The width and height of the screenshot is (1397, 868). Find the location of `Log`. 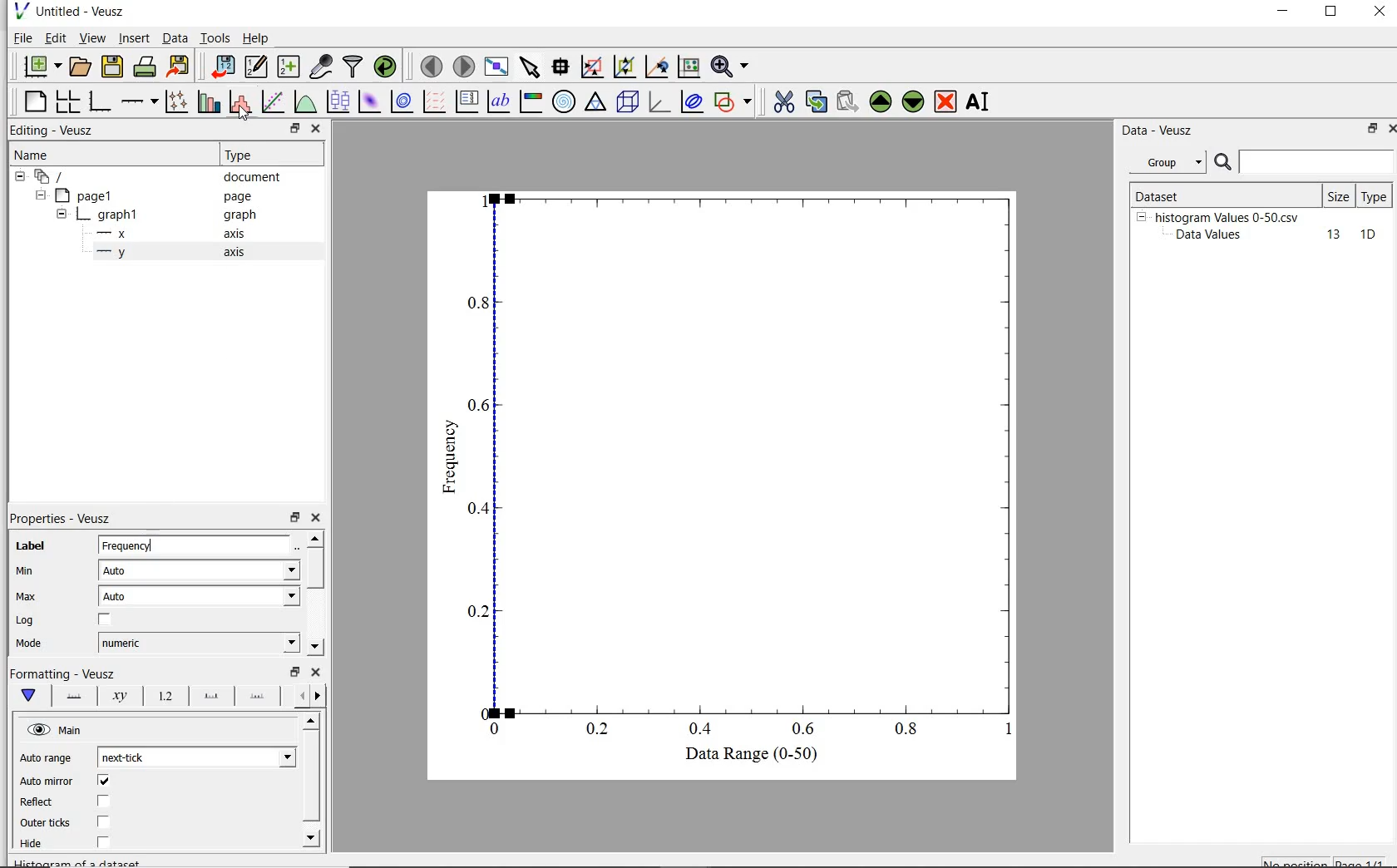

Log is located at coordinates (24, 621).